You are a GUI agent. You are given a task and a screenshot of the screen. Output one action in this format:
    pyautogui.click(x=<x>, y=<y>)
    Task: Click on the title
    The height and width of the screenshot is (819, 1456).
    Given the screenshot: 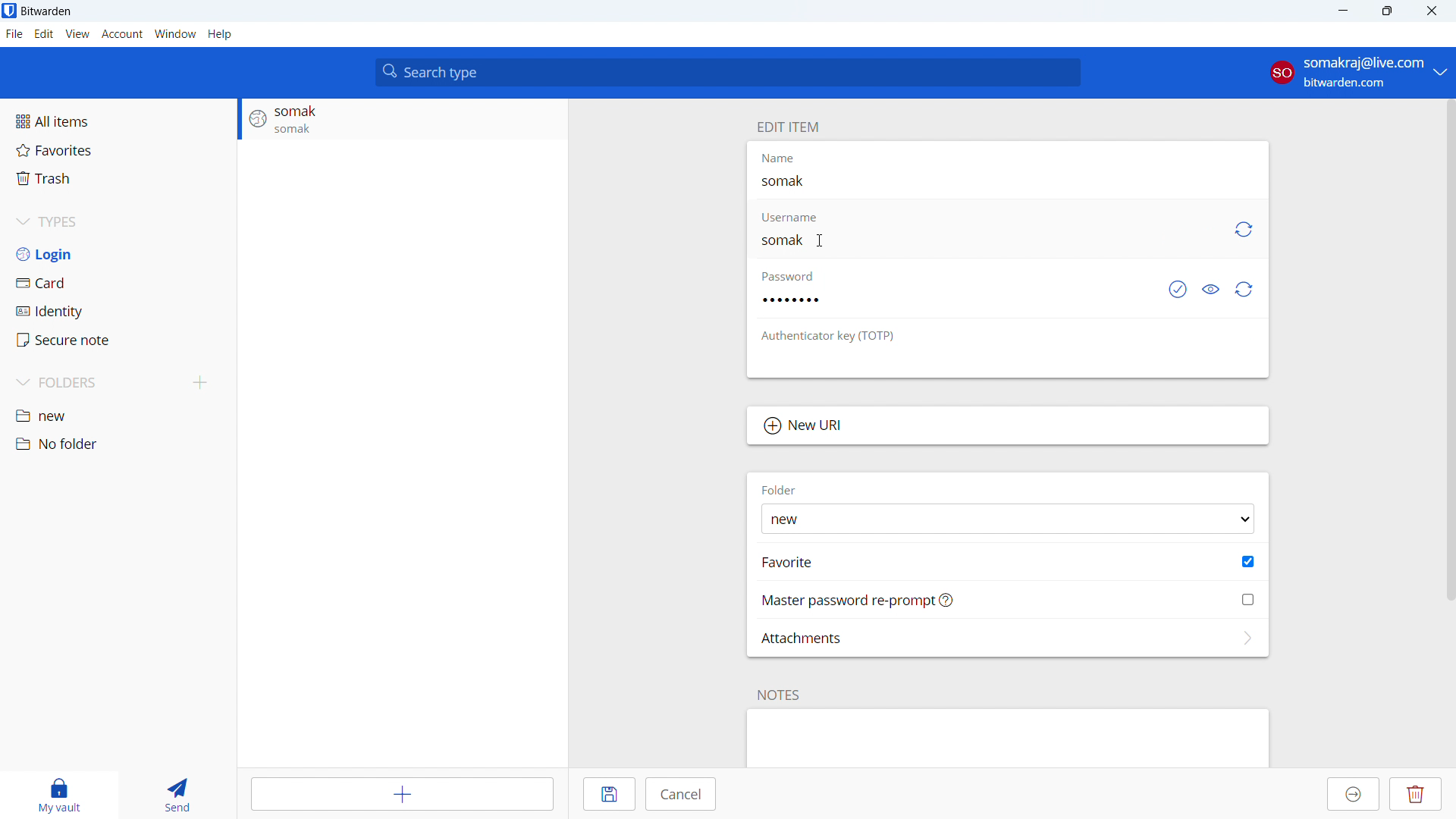 What is the action you would take?
    pyautogui.click(x=46, y=11)
    